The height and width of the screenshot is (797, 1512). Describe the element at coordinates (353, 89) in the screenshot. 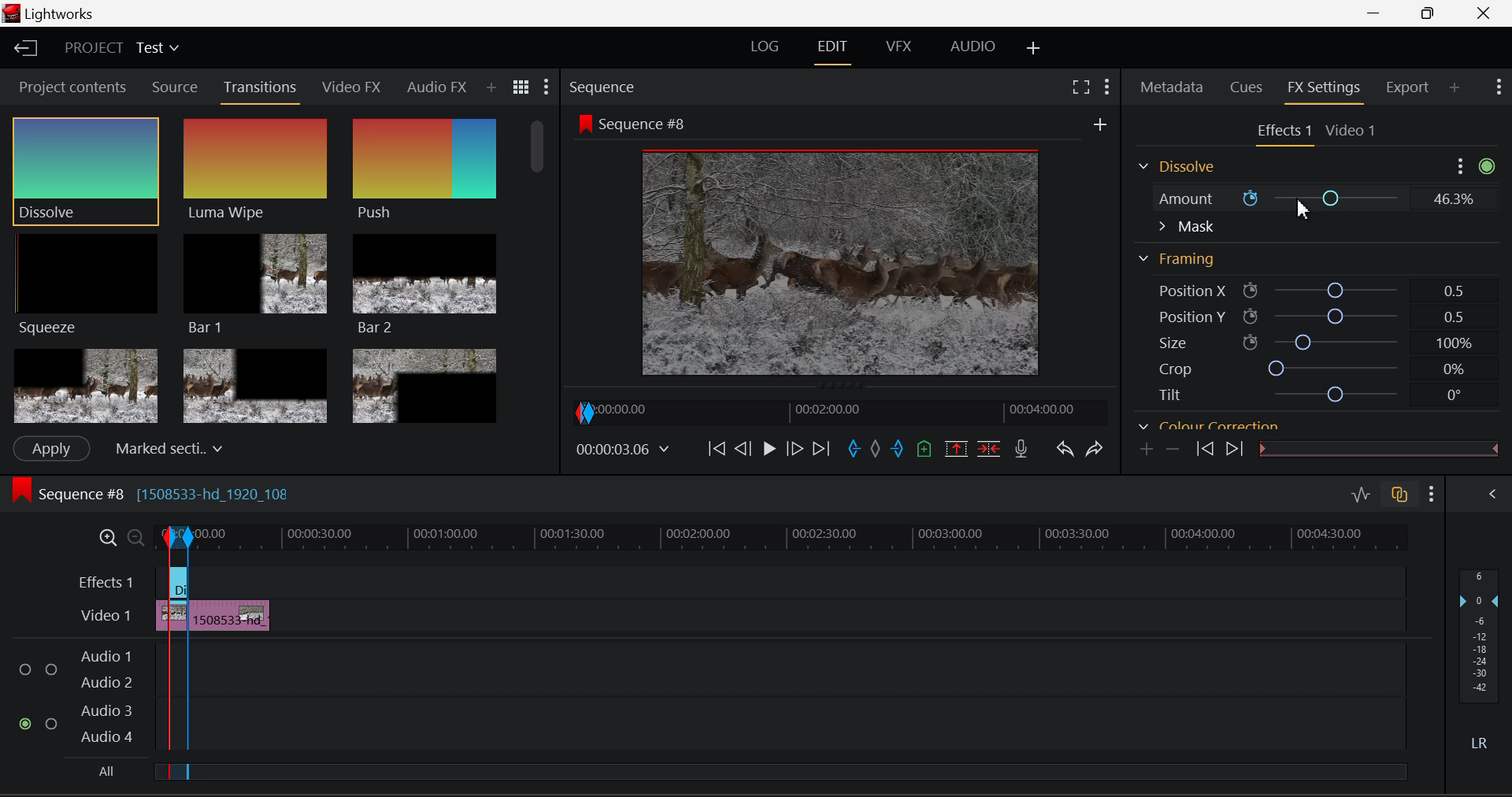

I see `Video FX` at that location.